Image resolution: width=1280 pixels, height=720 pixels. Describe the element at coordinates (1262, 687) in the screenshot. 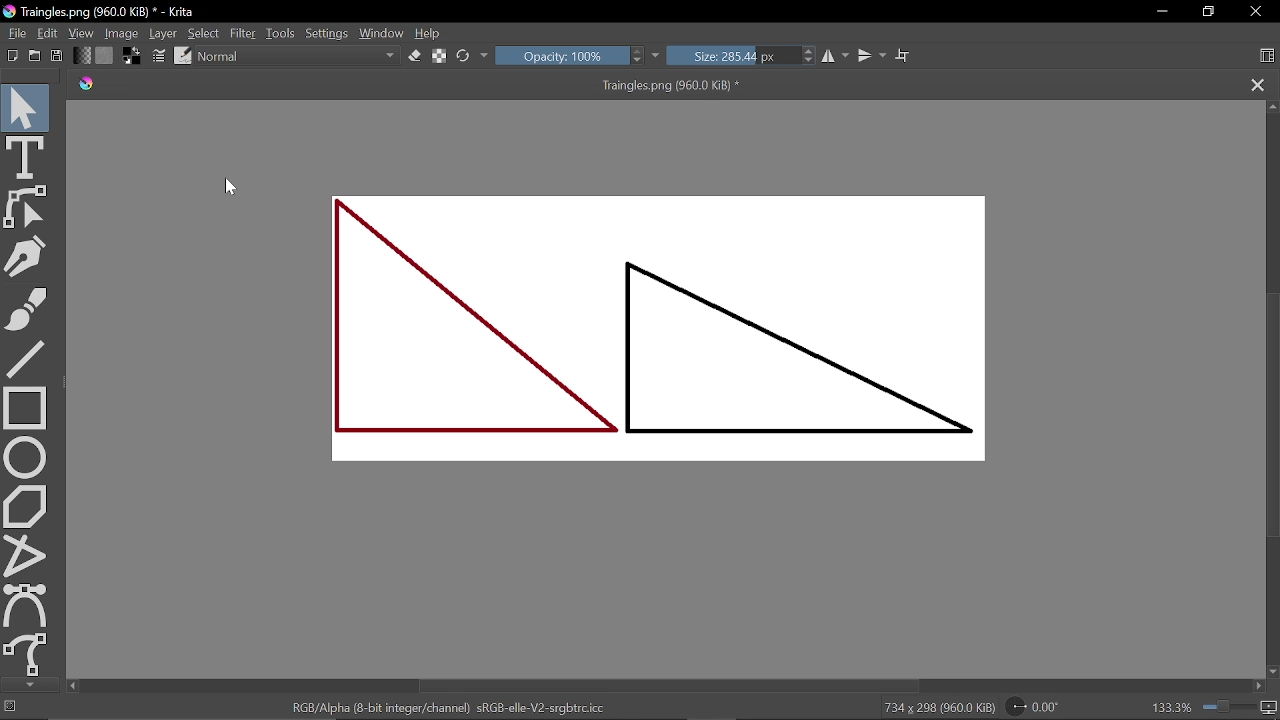

I see `Move right` at that location.